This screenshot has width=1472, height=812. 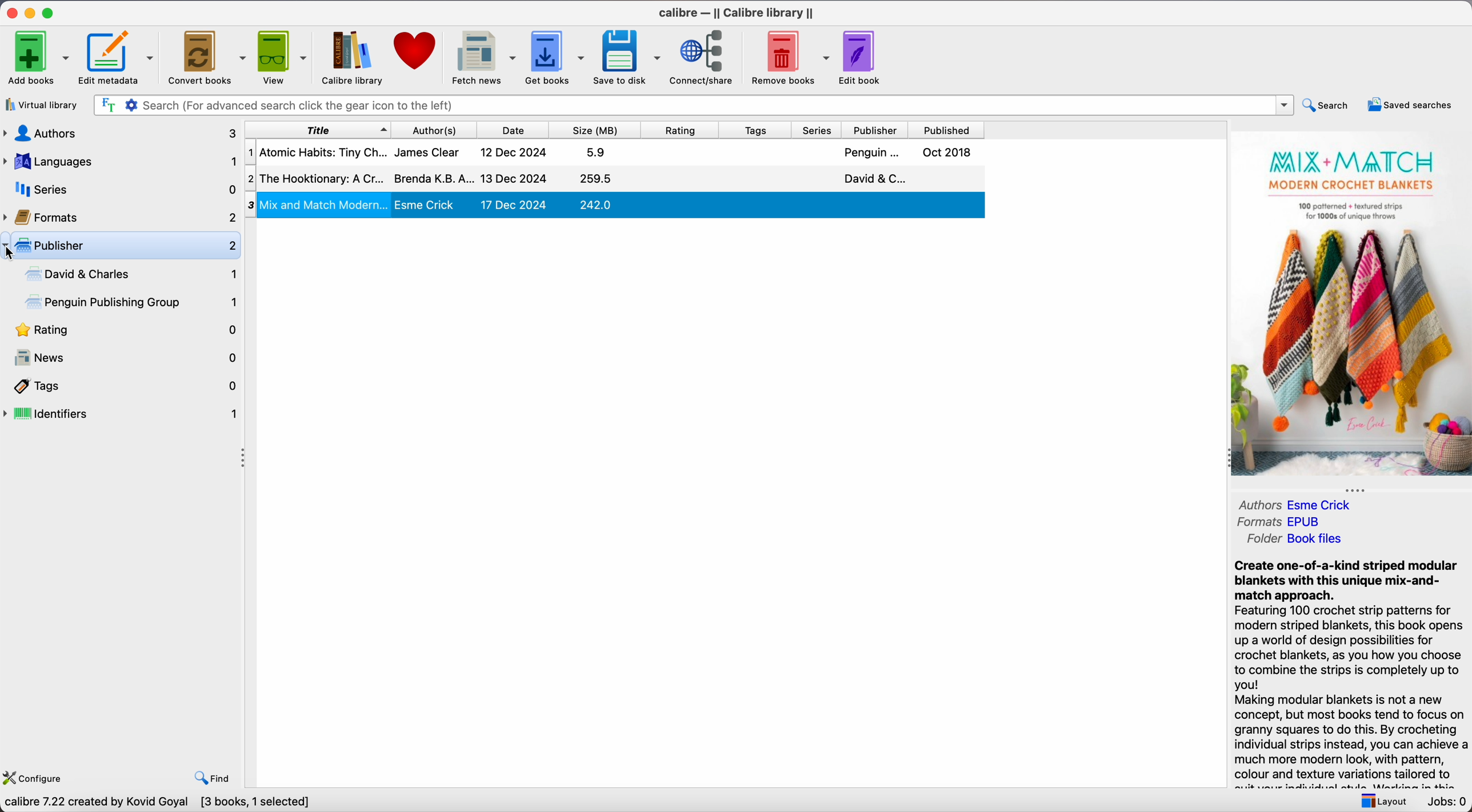 I want to click on search bar, so click(x=692, y=105).